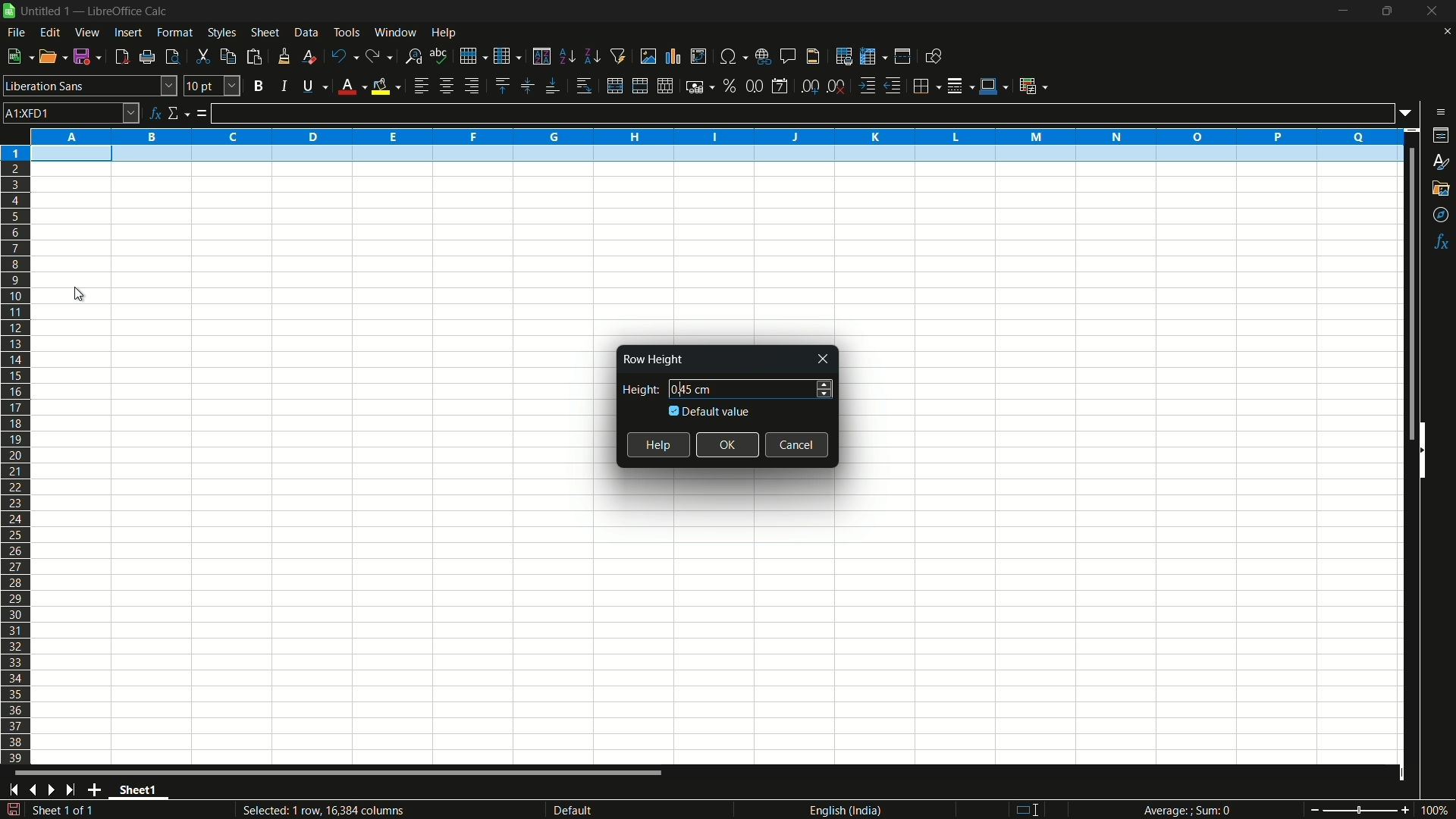  I want to click on styles menu, so click(222, 33).